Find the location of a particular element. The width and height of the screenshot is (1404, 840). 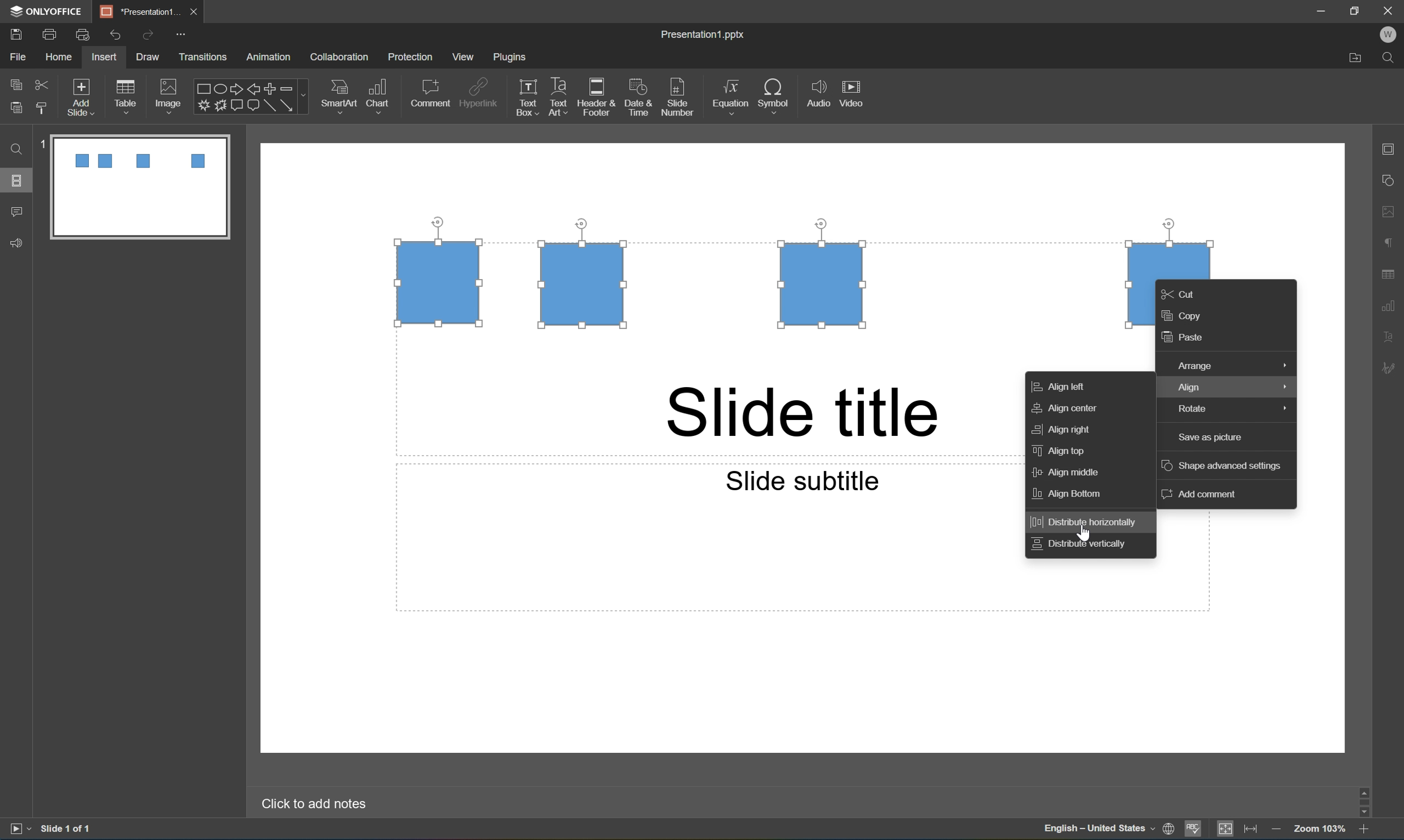

align center is located at coordinates (1067, 409).